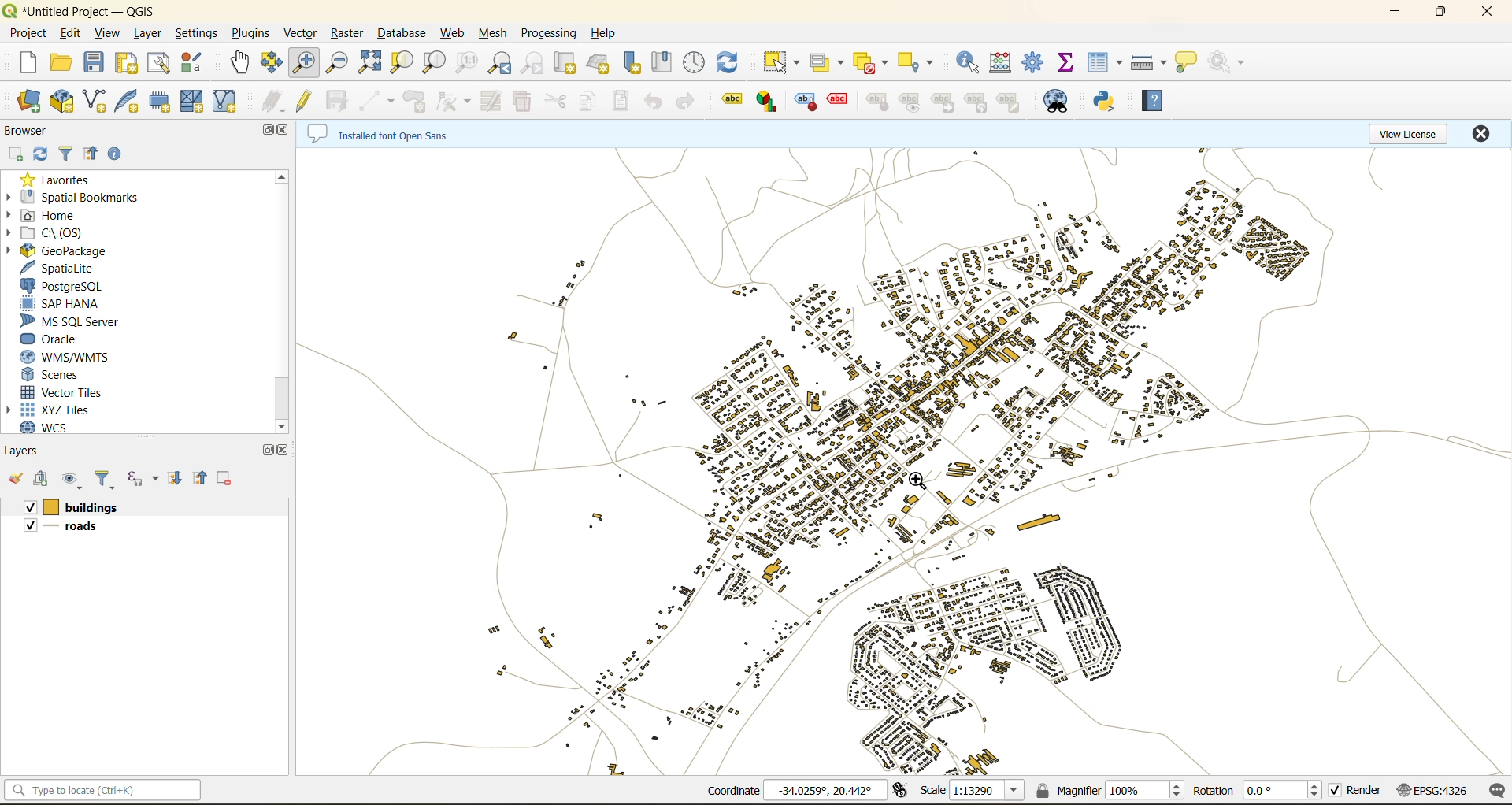 Image resolution: width=1512 pixels, height=805 pixels. What do you see at coordinates (842, 103) in the screenshot?
I see `Remove Label` at bounding box center [842, 103].